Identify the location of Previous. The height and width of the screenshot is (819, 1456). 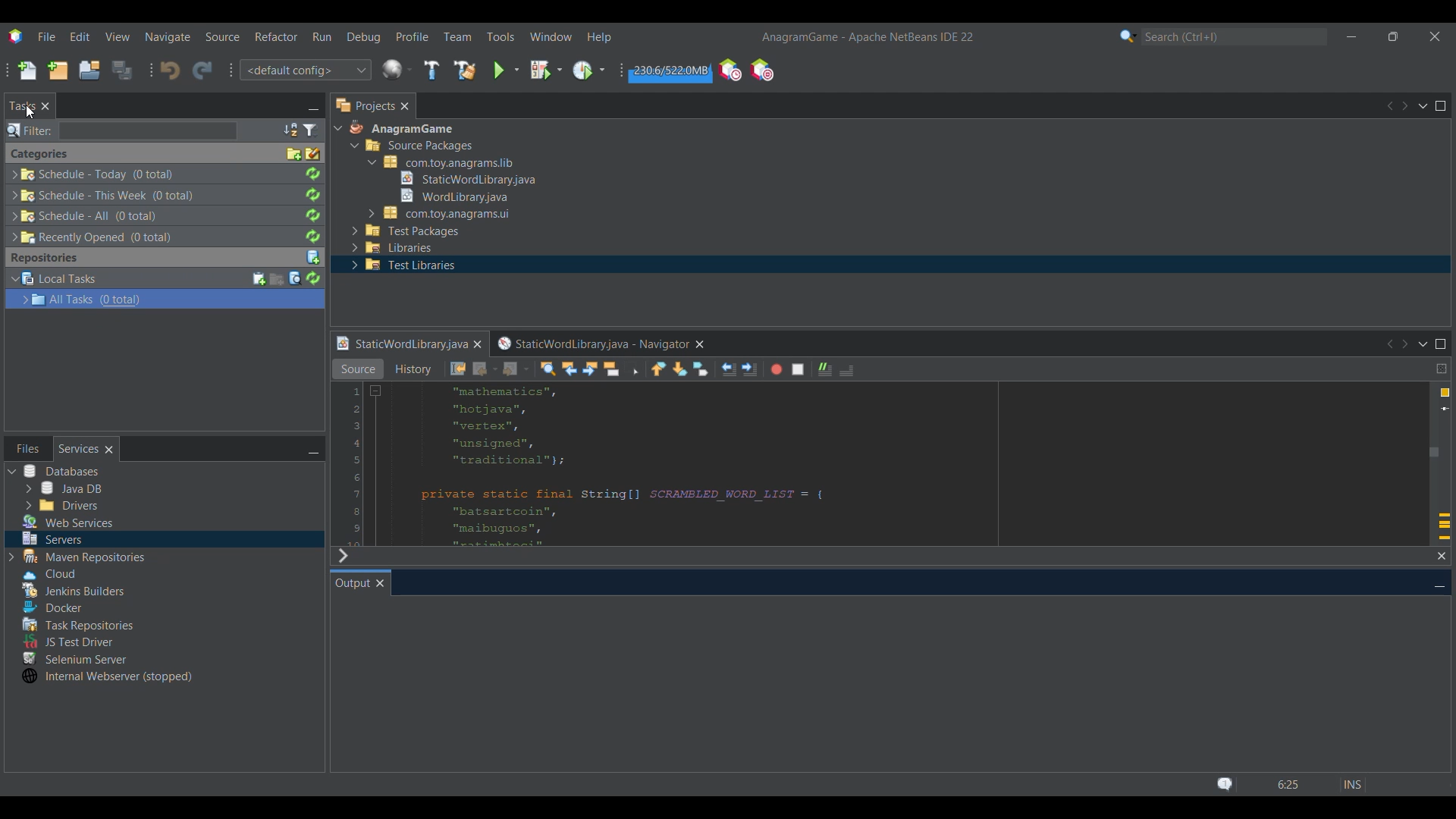
(1389, 344).